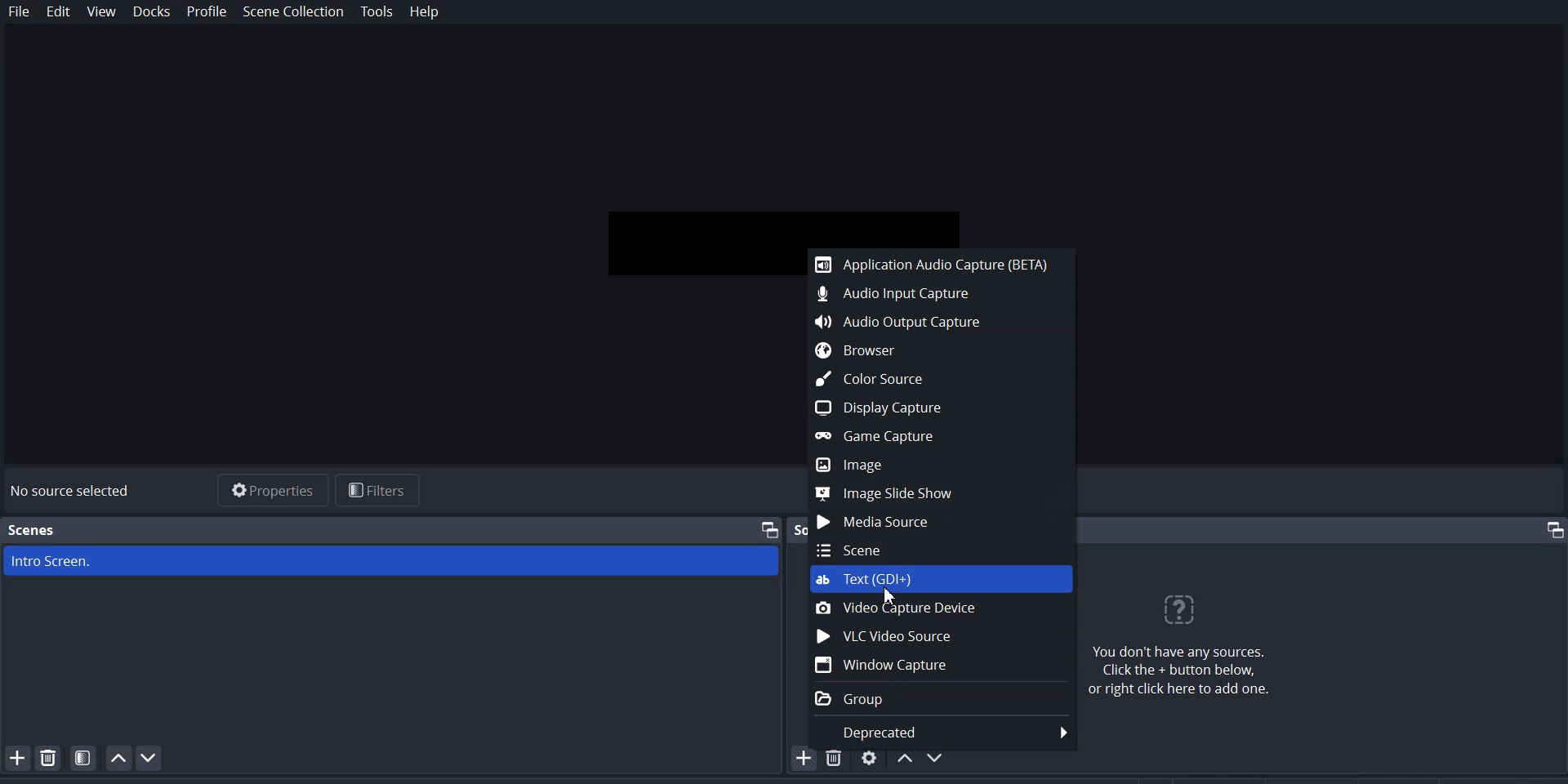 This screenshot has width=1568, height=784. What do you see at coordinates (933, 435) in the screenshot?
I see `Game Capture` at bounding box center [933, 435].